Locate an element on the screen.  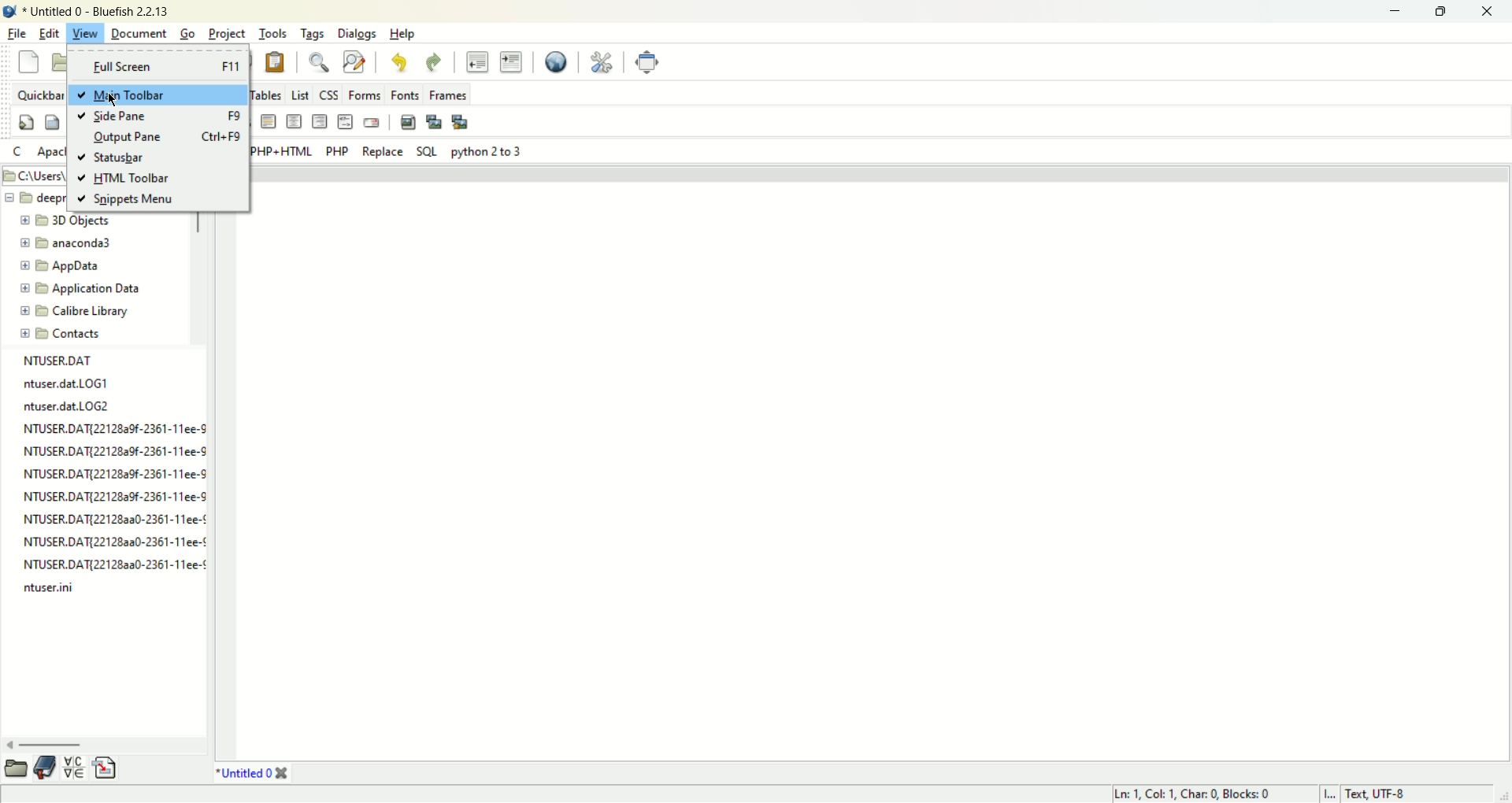
NTUSER.DAT{22128aa0-2361-11ee- is located at coordinates (113, 563).